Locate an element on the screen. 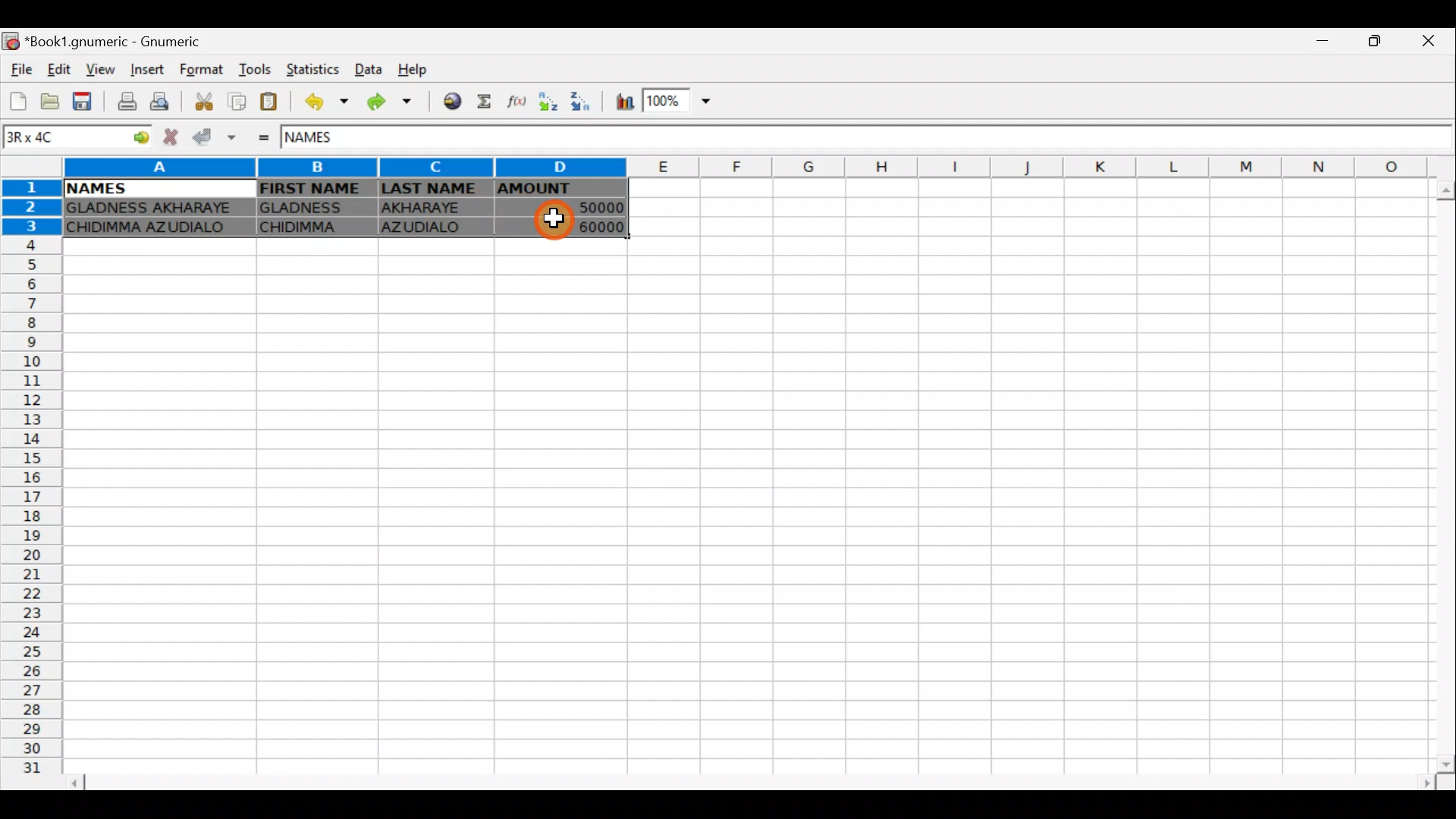  Edit is located at coordinates (61, 71).